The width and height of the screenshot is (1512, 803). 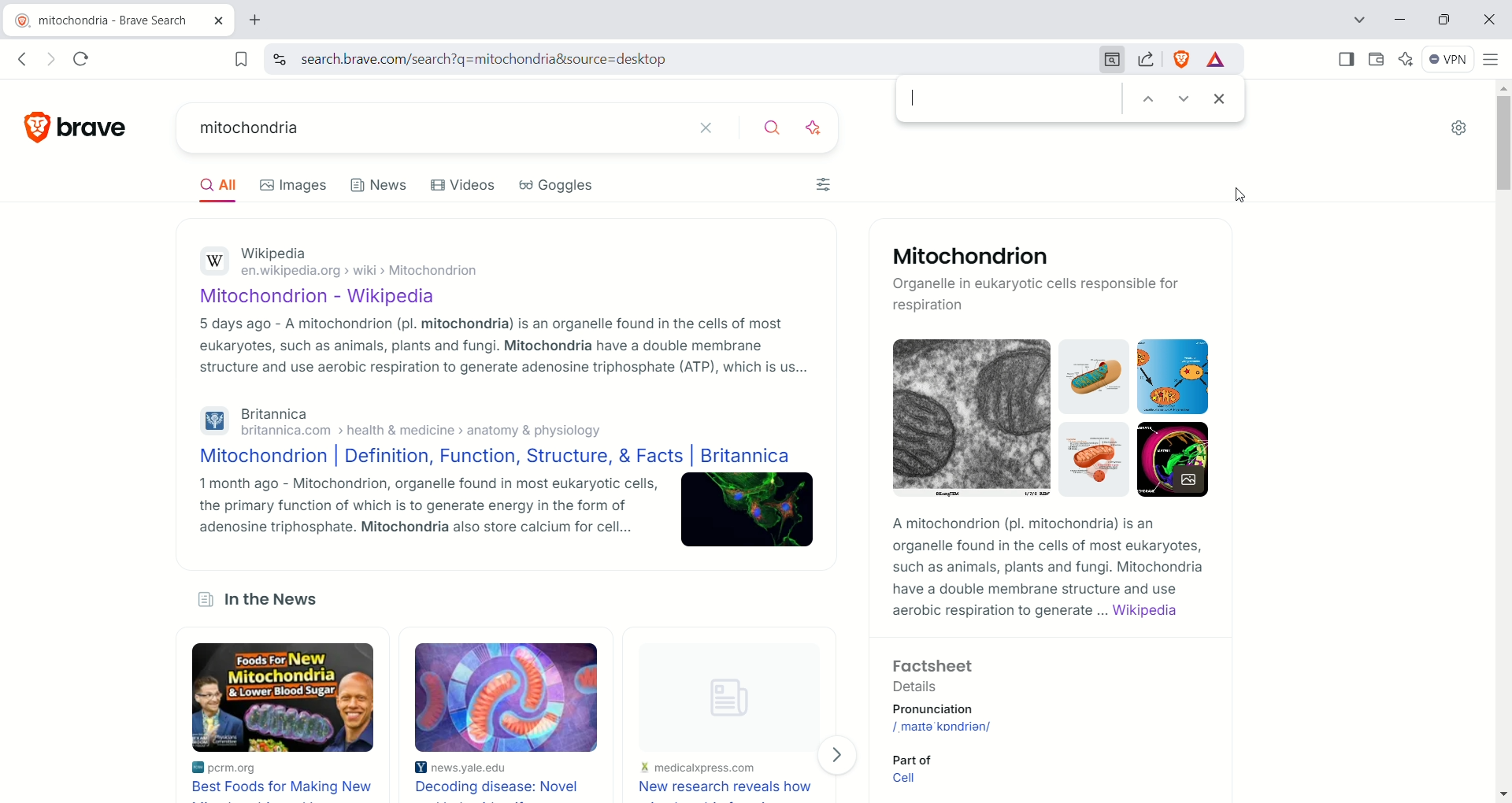 What do you see at coordinates (1359, 22) in the screenshot?
I see `tab search` at bounding box center [1359, 22].